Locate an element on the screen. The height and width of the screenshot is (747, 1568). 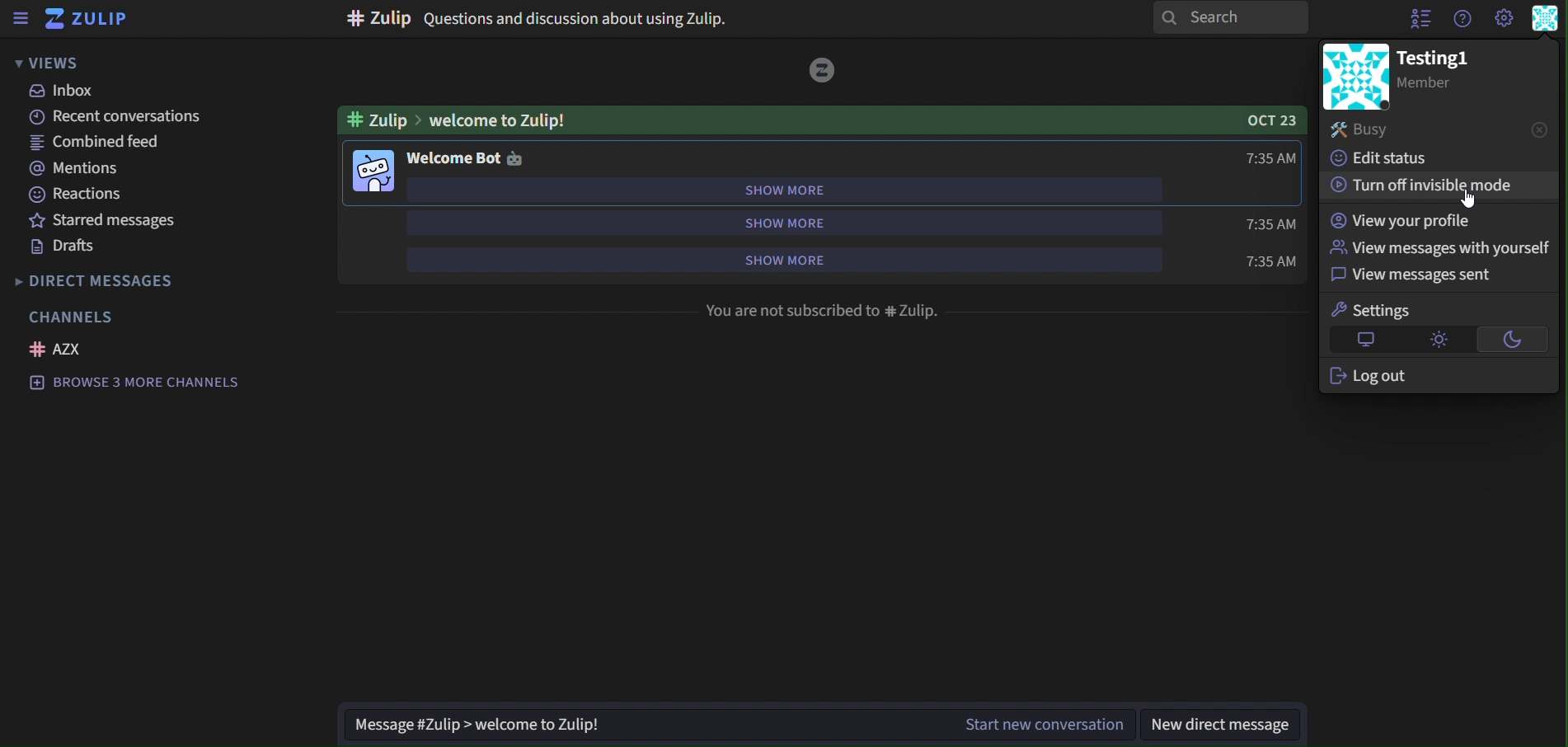
#zulip is located at coordinates (370, 121).